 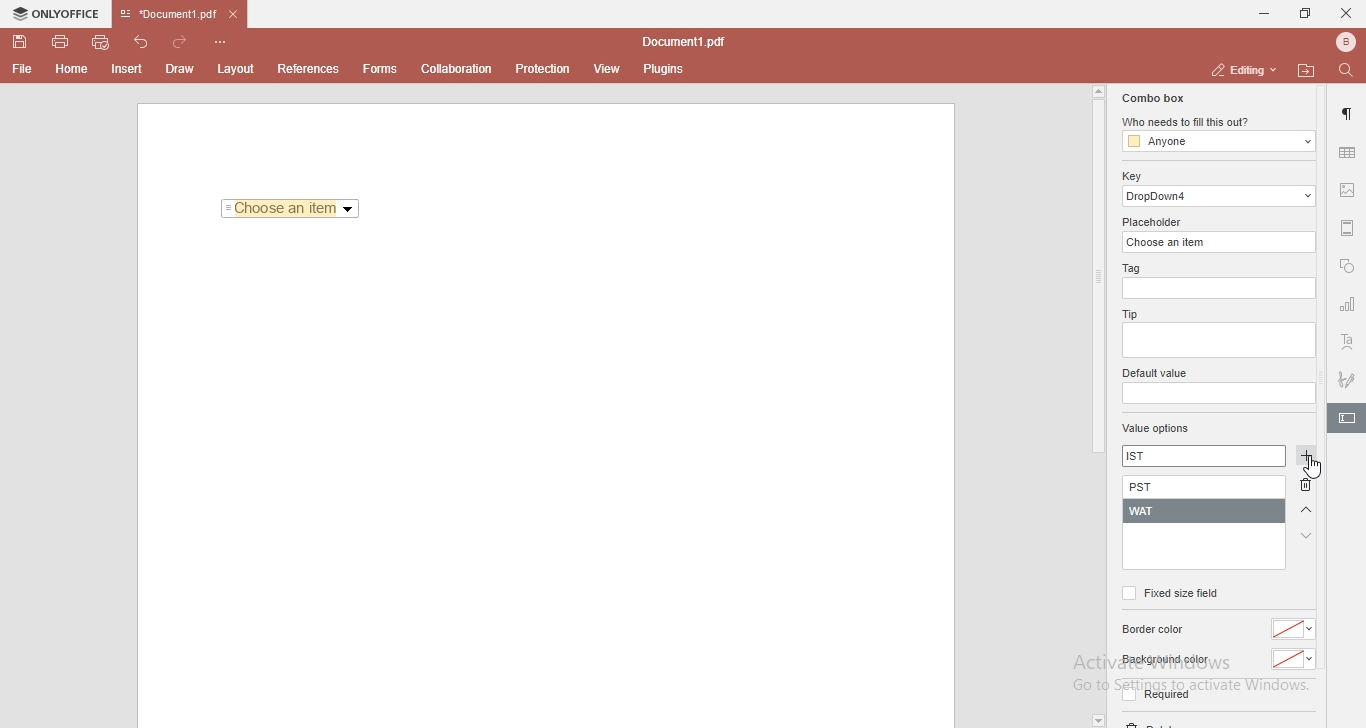 I want to click on empty box, so click(x=1221, y=289).